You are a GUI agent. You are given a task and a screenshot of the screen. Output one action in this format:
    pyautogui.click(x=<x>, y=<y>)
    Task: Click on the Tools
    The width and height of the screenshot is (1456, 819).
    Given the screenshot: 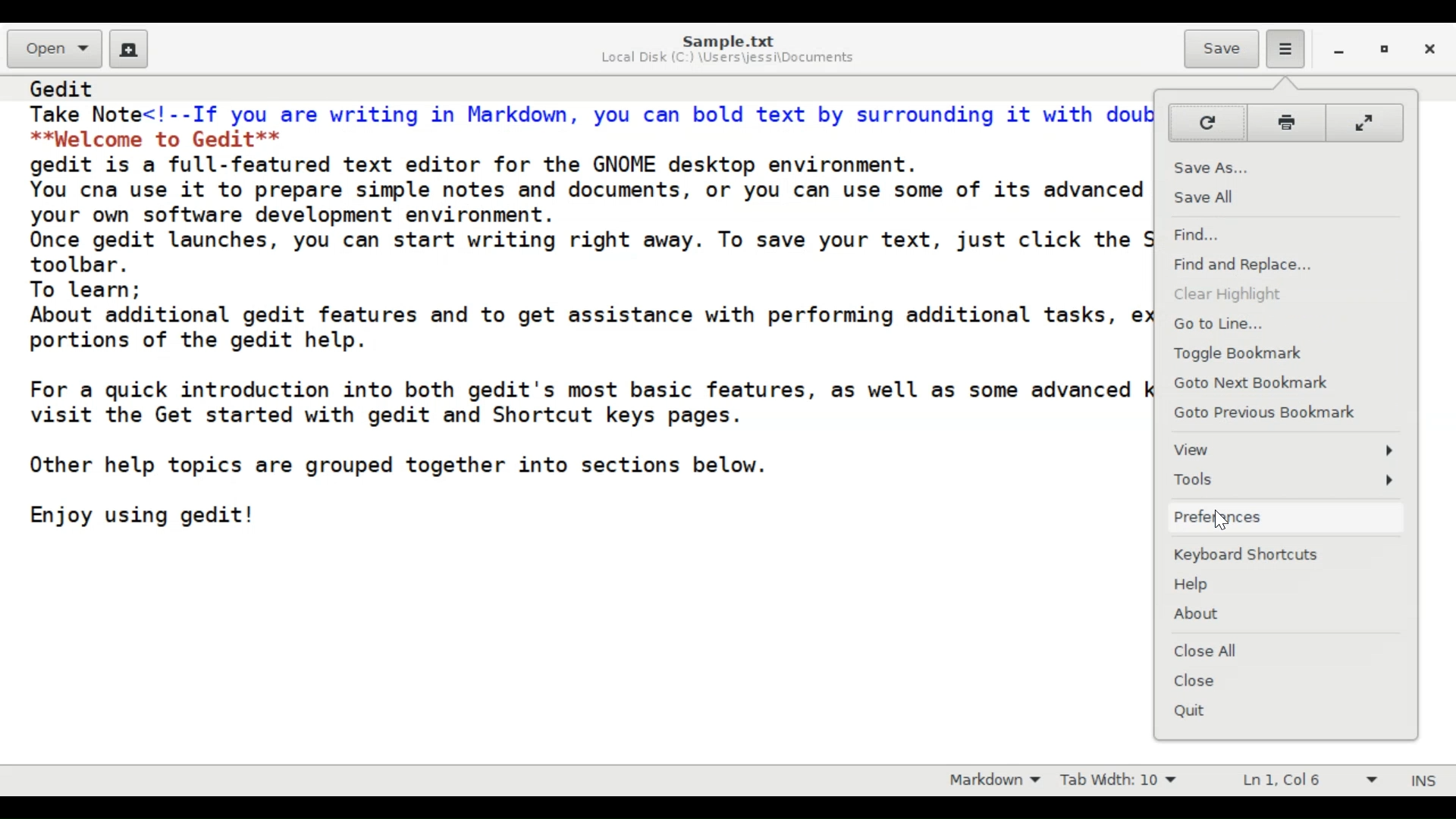 What is the action you would take?
    pyautogui.click(x=1286, y=479)
    